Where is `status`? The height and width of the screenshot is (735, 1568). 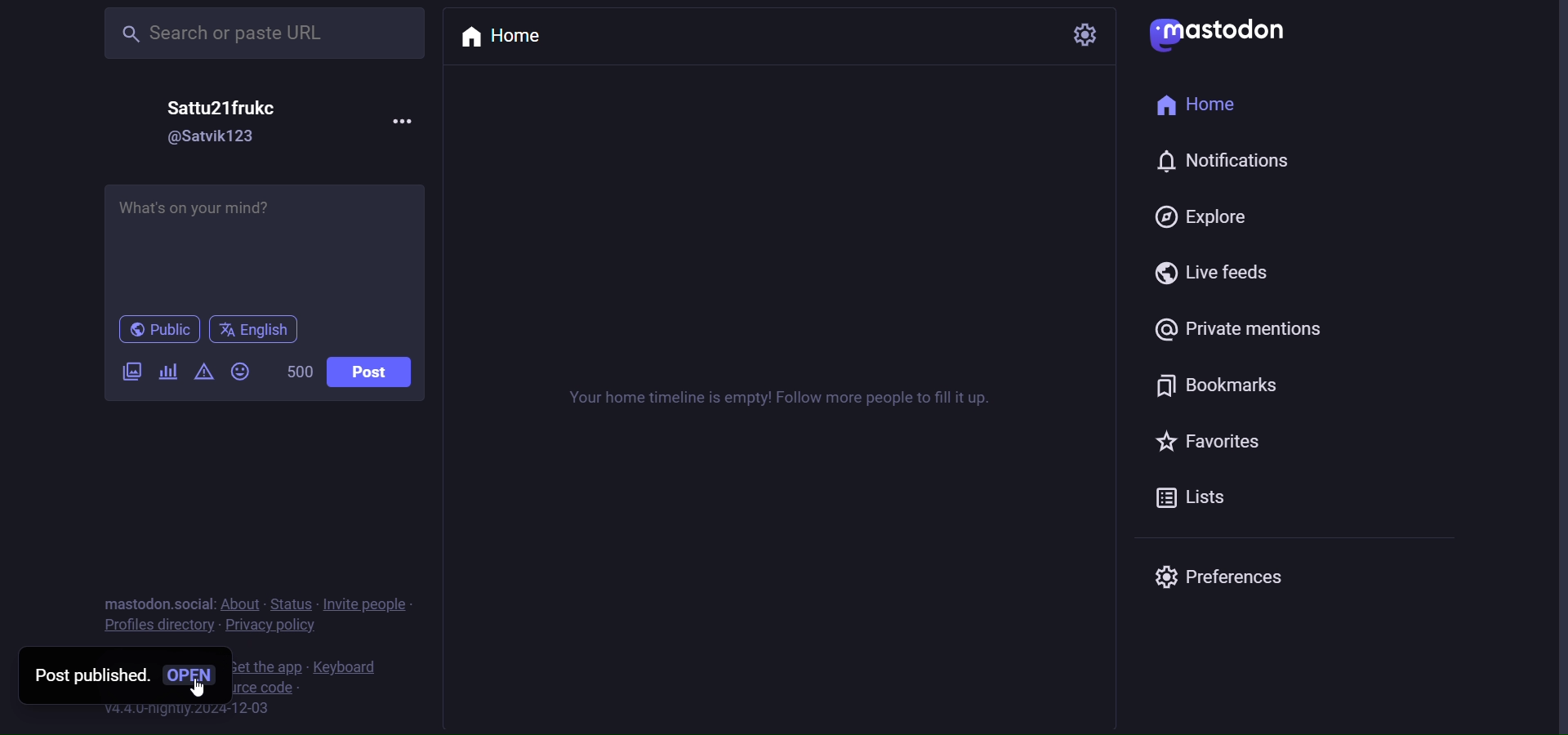
status is located at coordinates (294, 601).